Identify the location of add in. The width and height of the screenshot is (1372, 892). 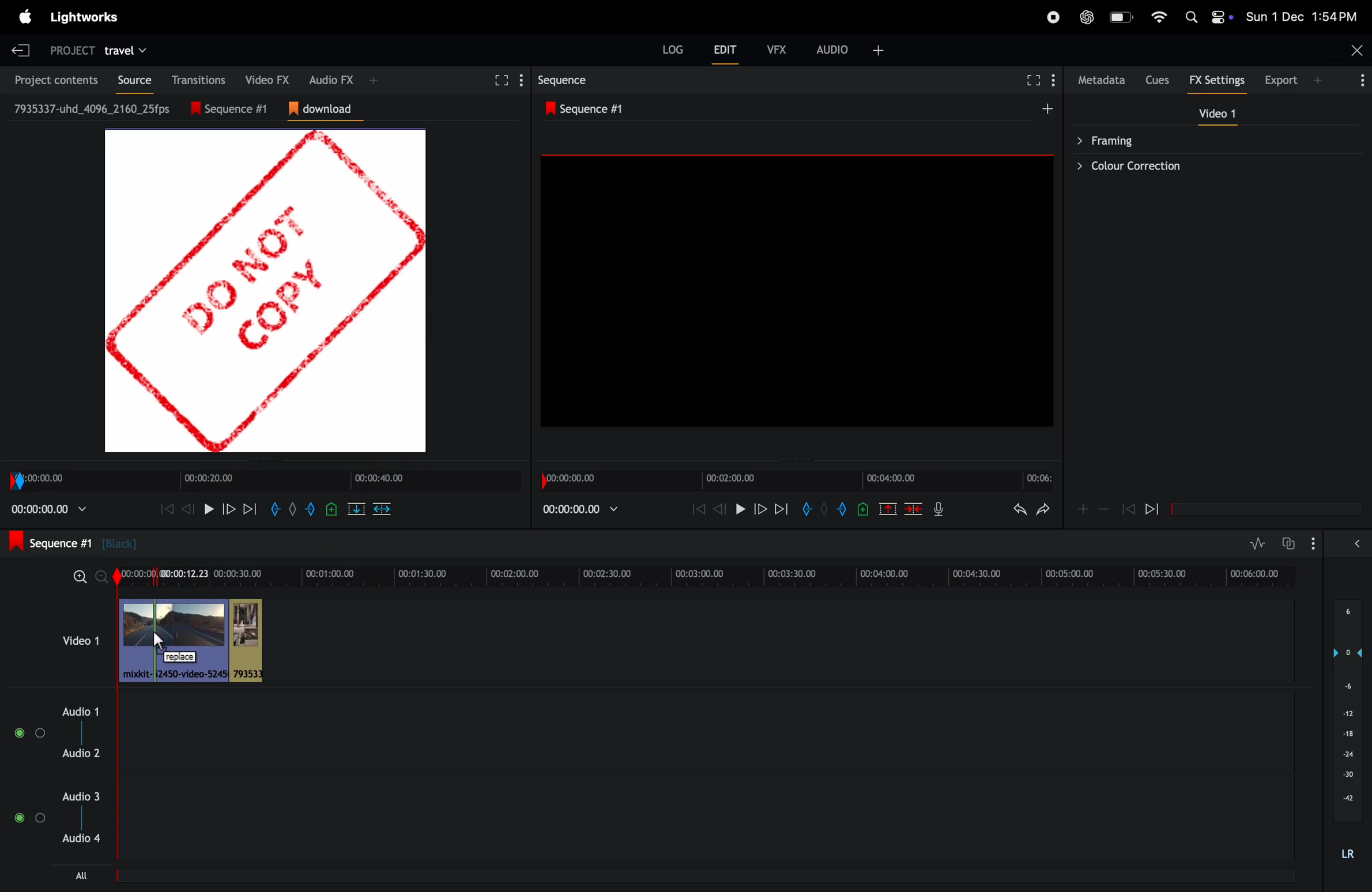
(805, 508).